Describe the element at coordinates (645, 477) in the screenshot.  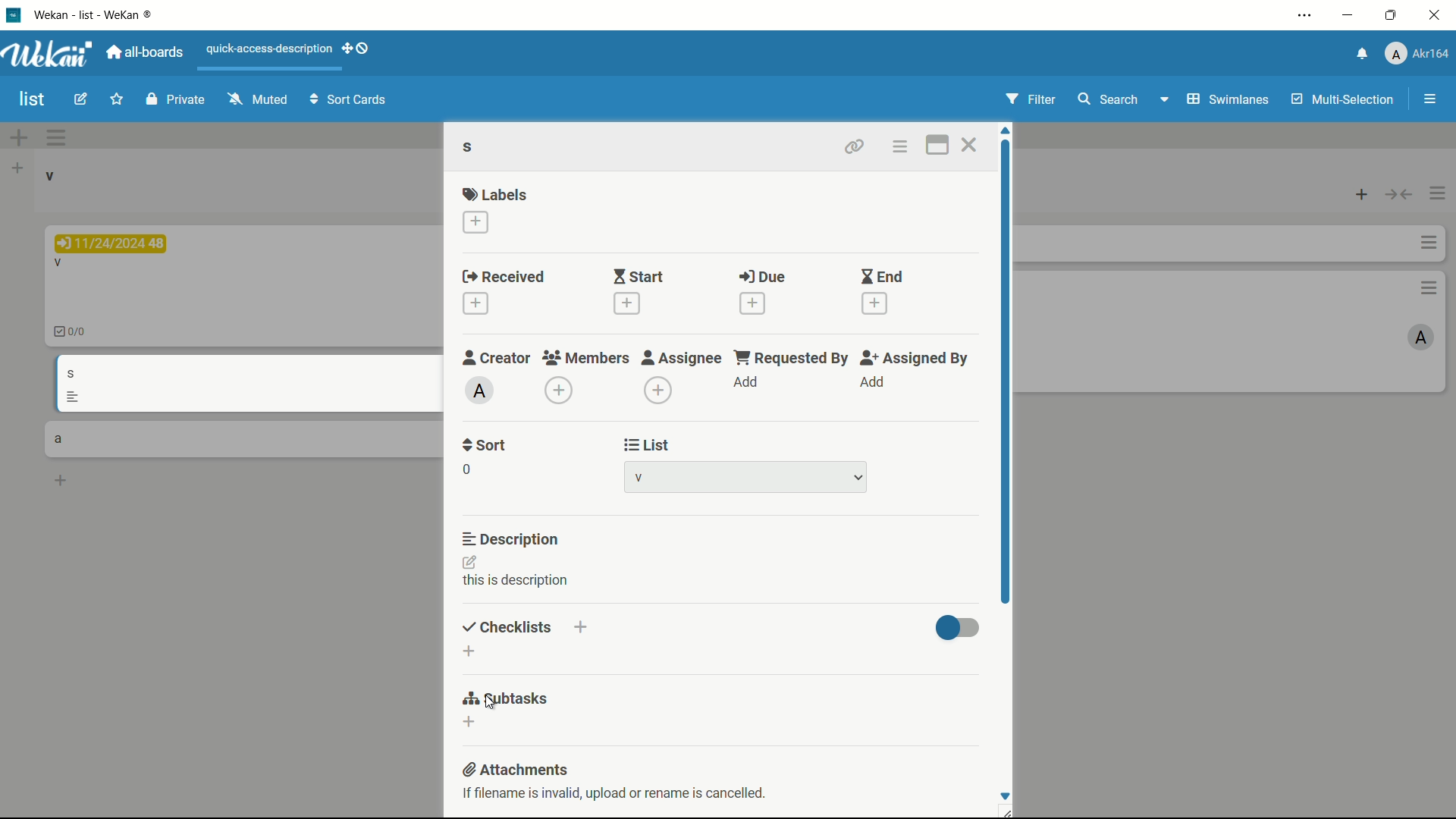
I see `list-1` at that location.